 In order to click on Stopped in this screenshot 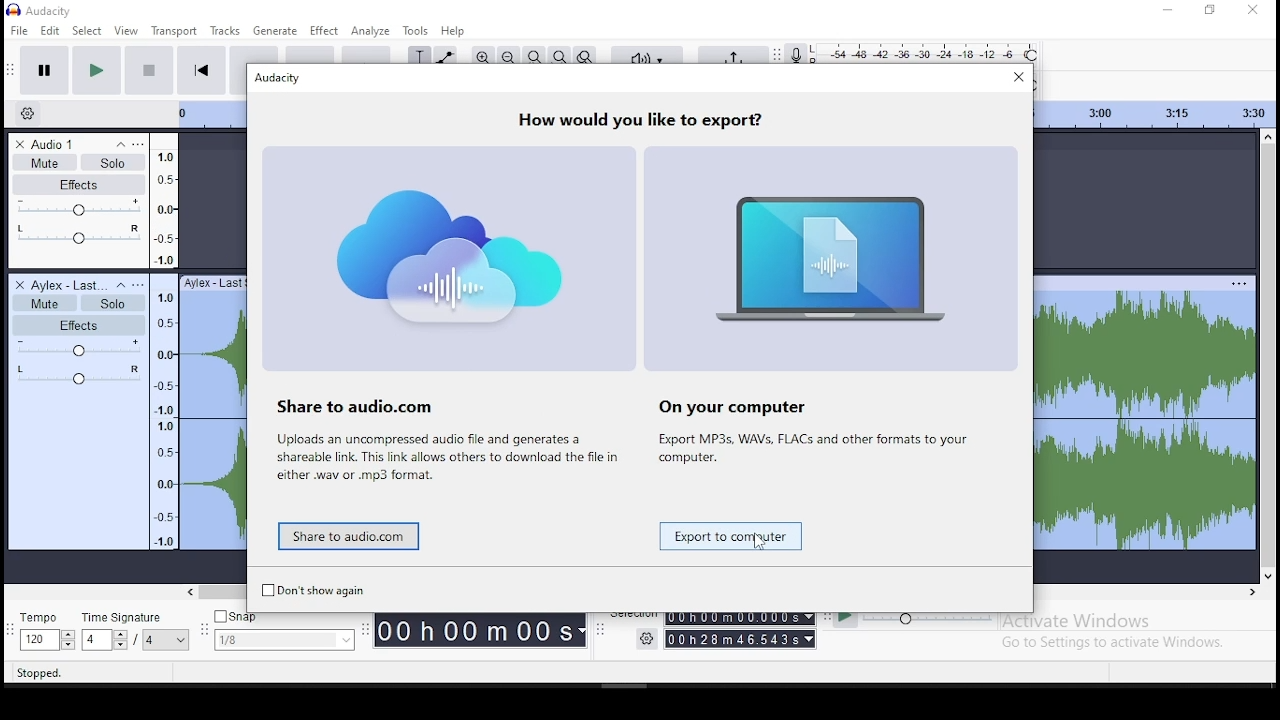, I will do `click(35, 674)`.